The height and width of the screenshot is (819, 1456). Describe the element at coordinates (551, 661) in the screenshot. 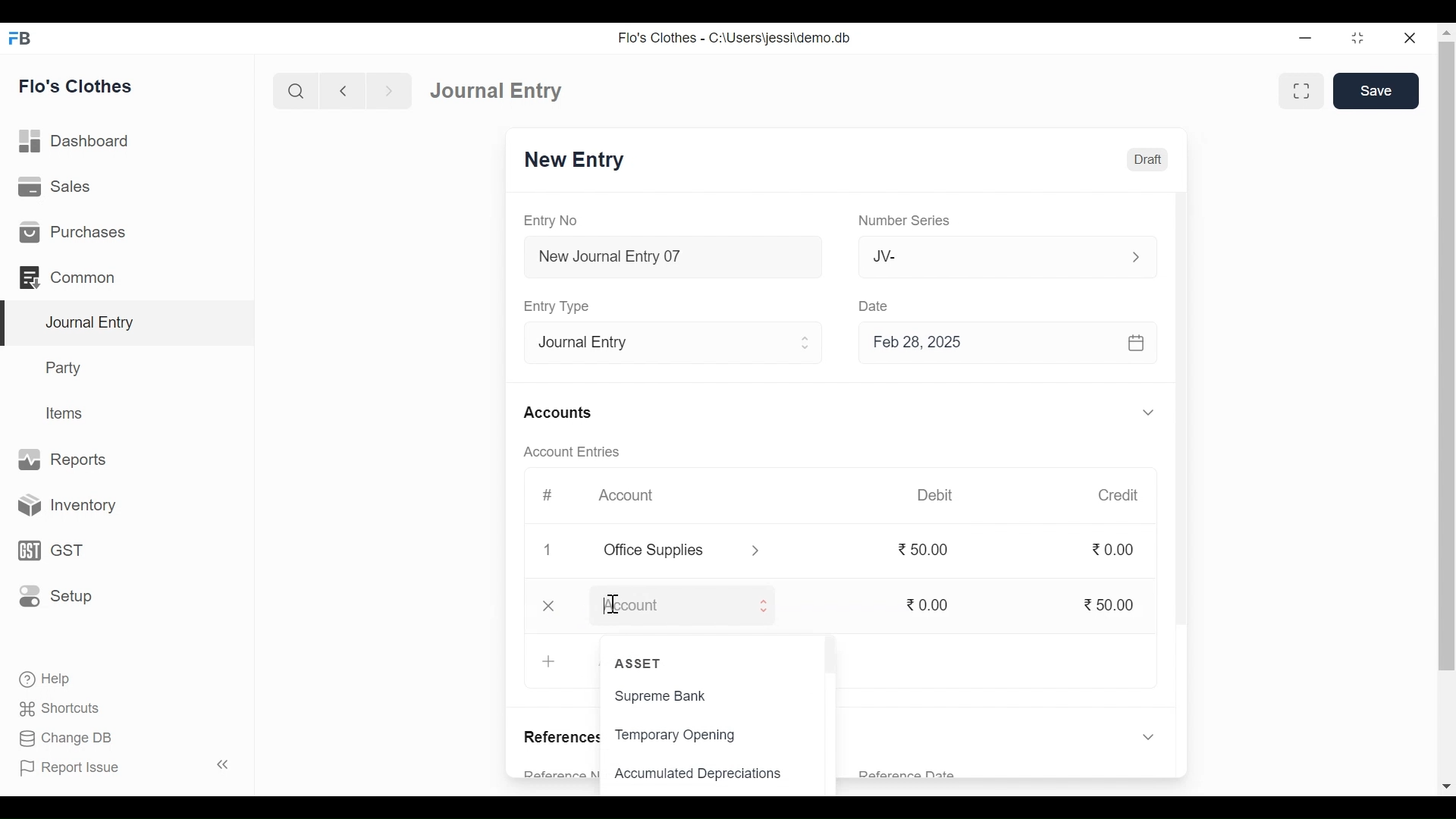

I see `+ Add Row` at that location.